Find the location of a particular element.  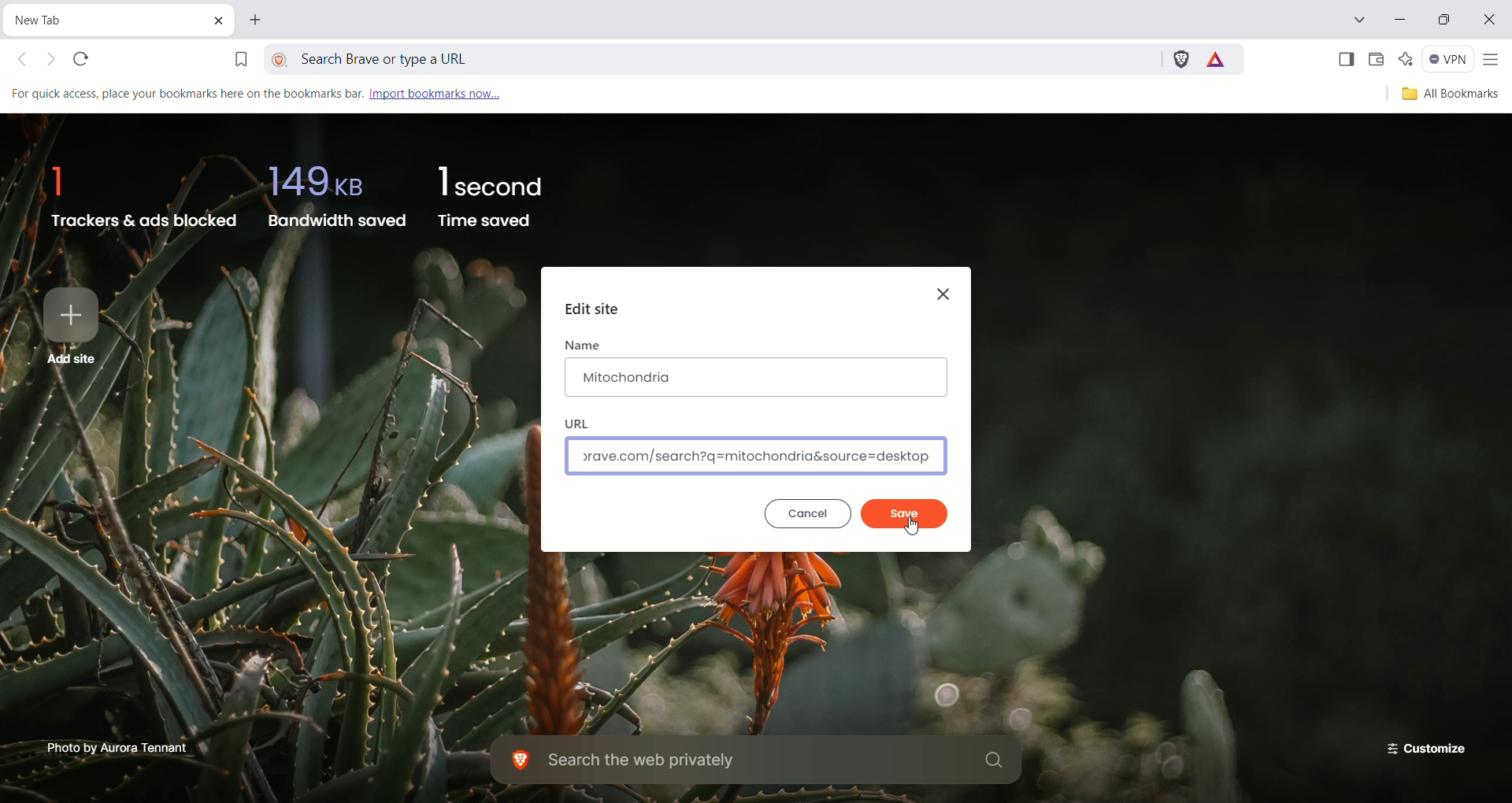

VPN is located at coordinates (1448, 60).